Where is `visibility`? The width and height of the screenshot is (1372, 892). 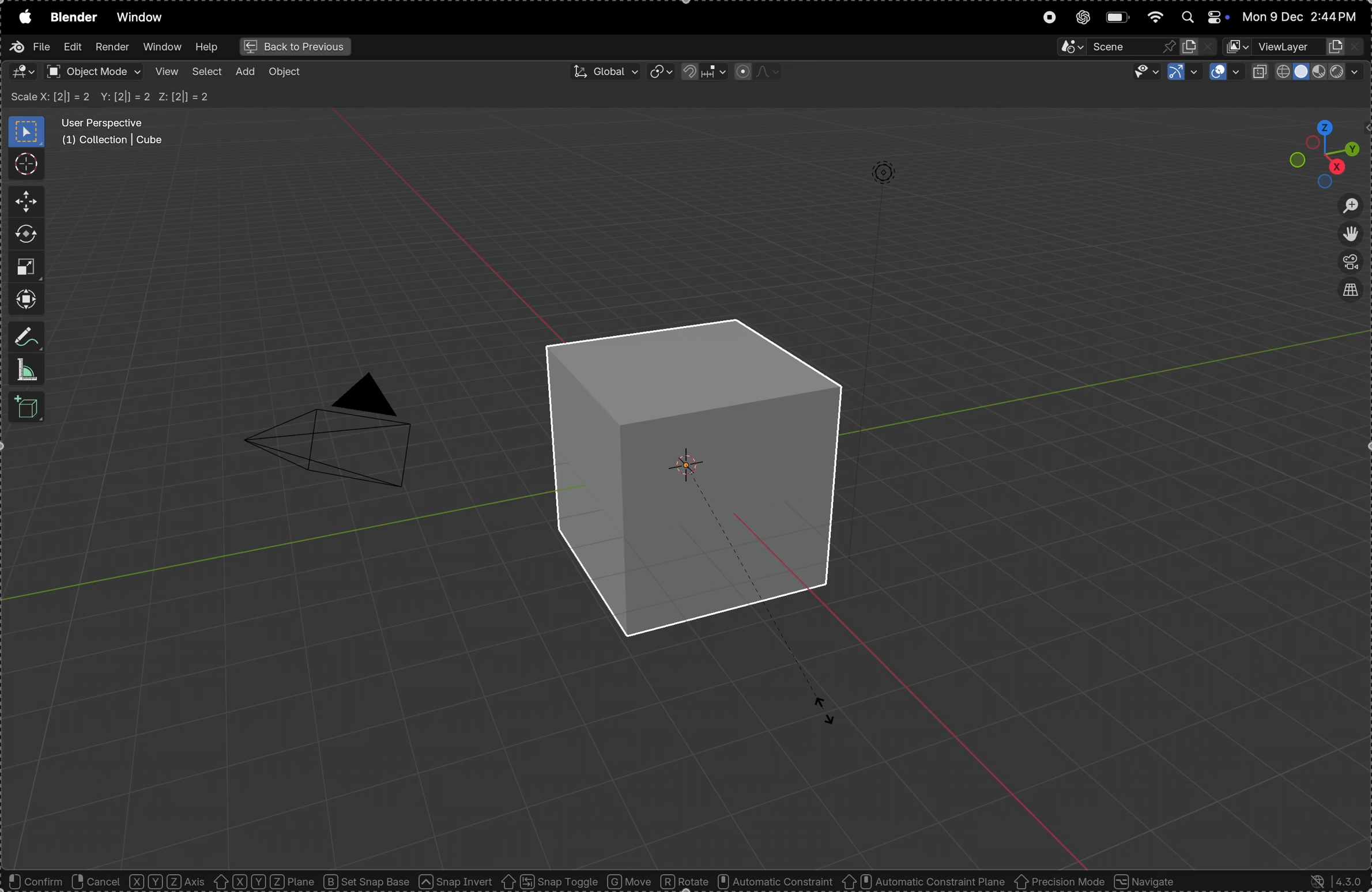
visibility is located at coordinates (1145, 73).